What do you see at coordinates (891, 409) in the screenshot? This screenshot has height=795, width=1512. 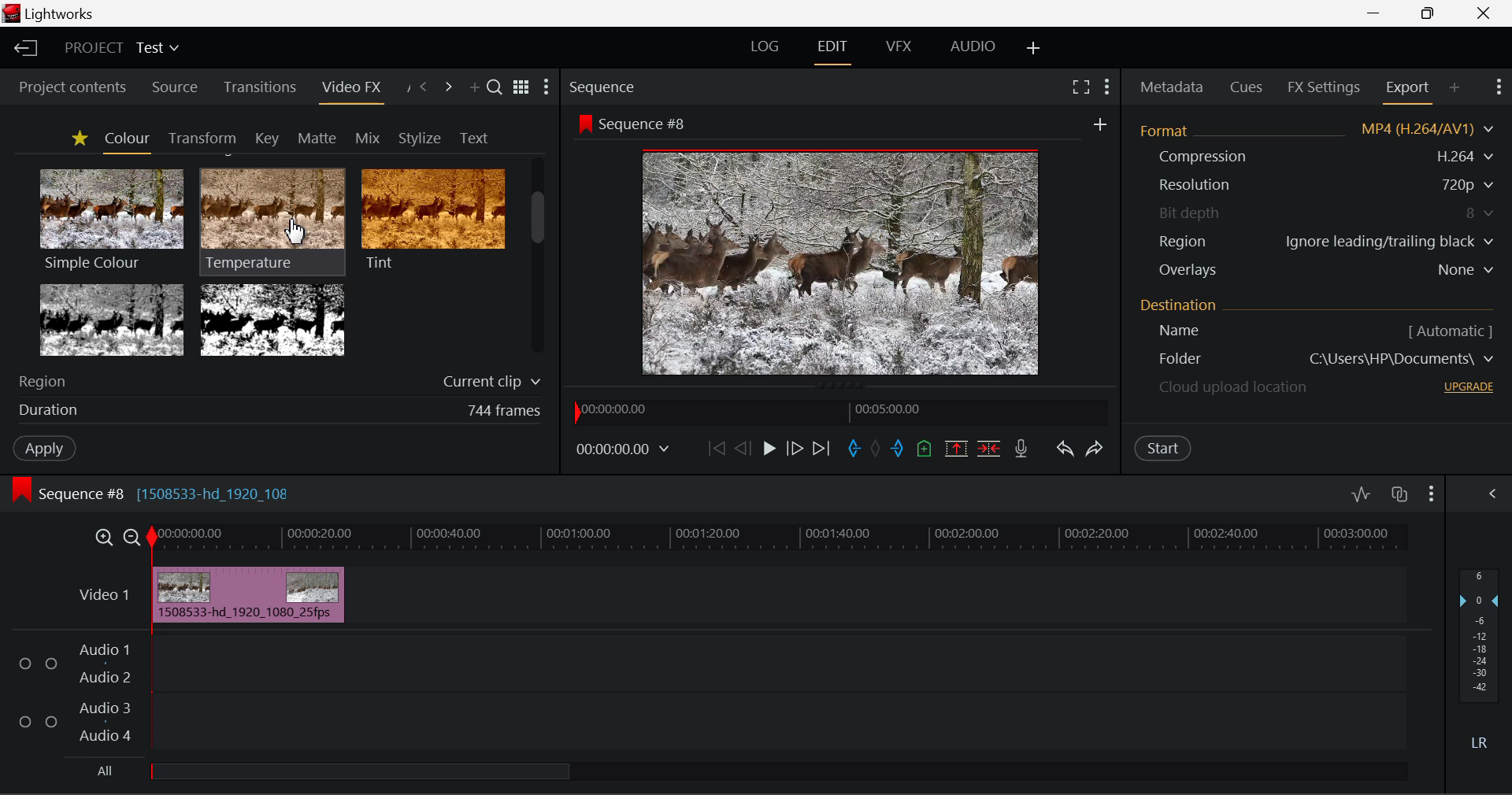 I see `00:05:00.00` at bounding box center [891, 409].